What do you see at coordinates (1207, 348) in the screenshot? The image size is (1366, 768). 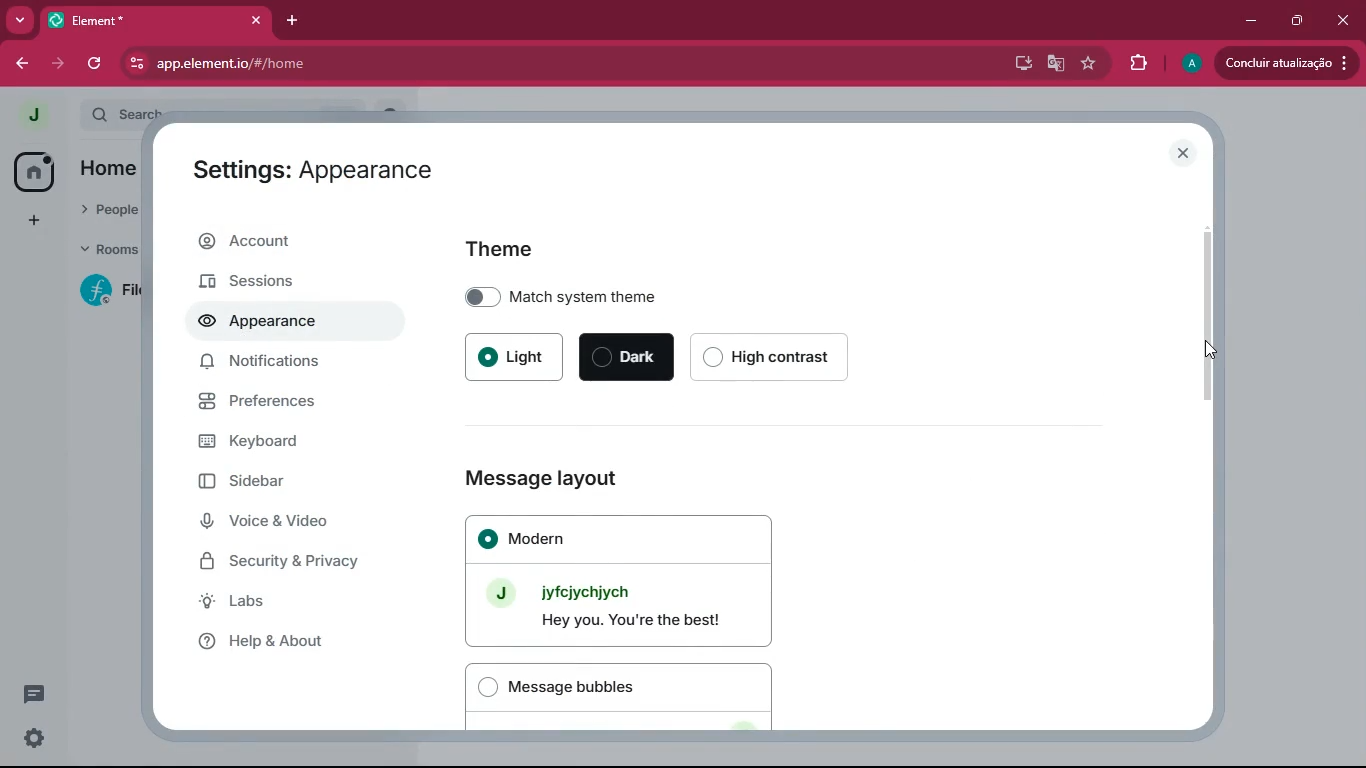 I see `Cursor` at bounding box center [1207, 348].